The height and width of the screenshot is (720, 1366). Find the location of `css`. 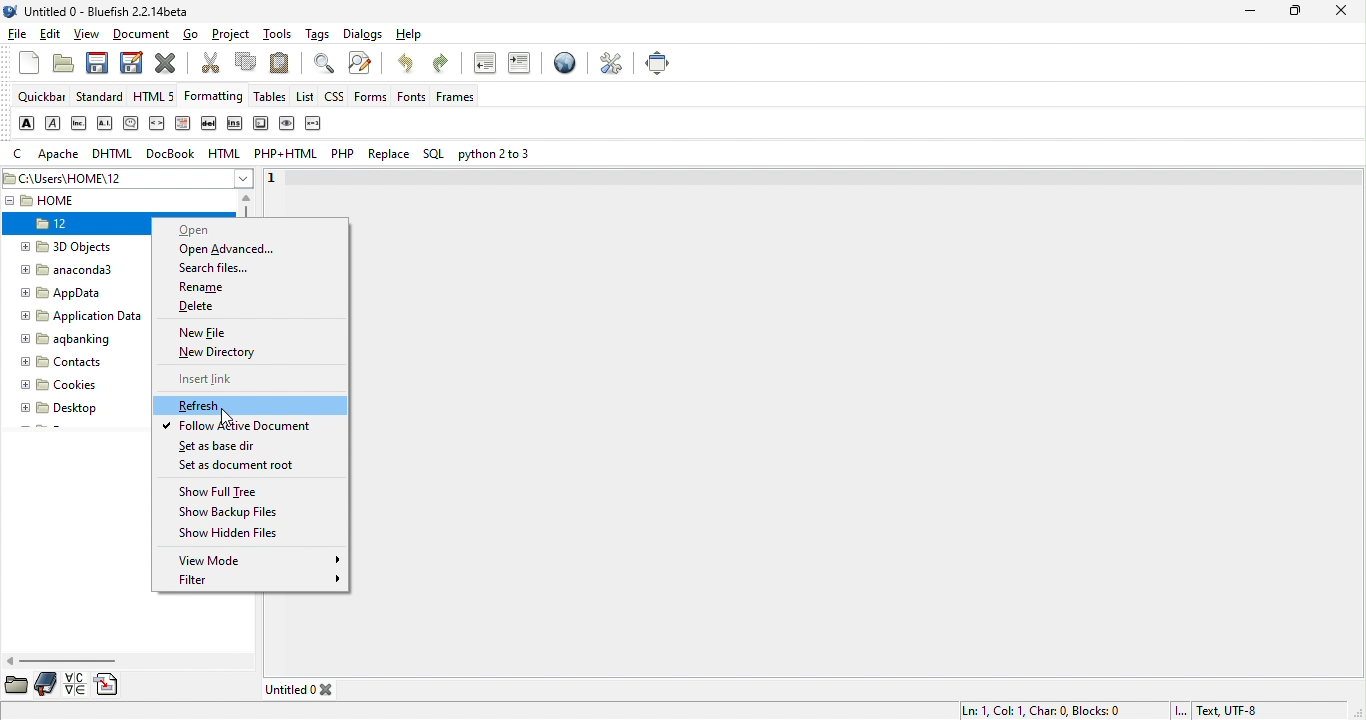

css is located at coordinates (336, 97).